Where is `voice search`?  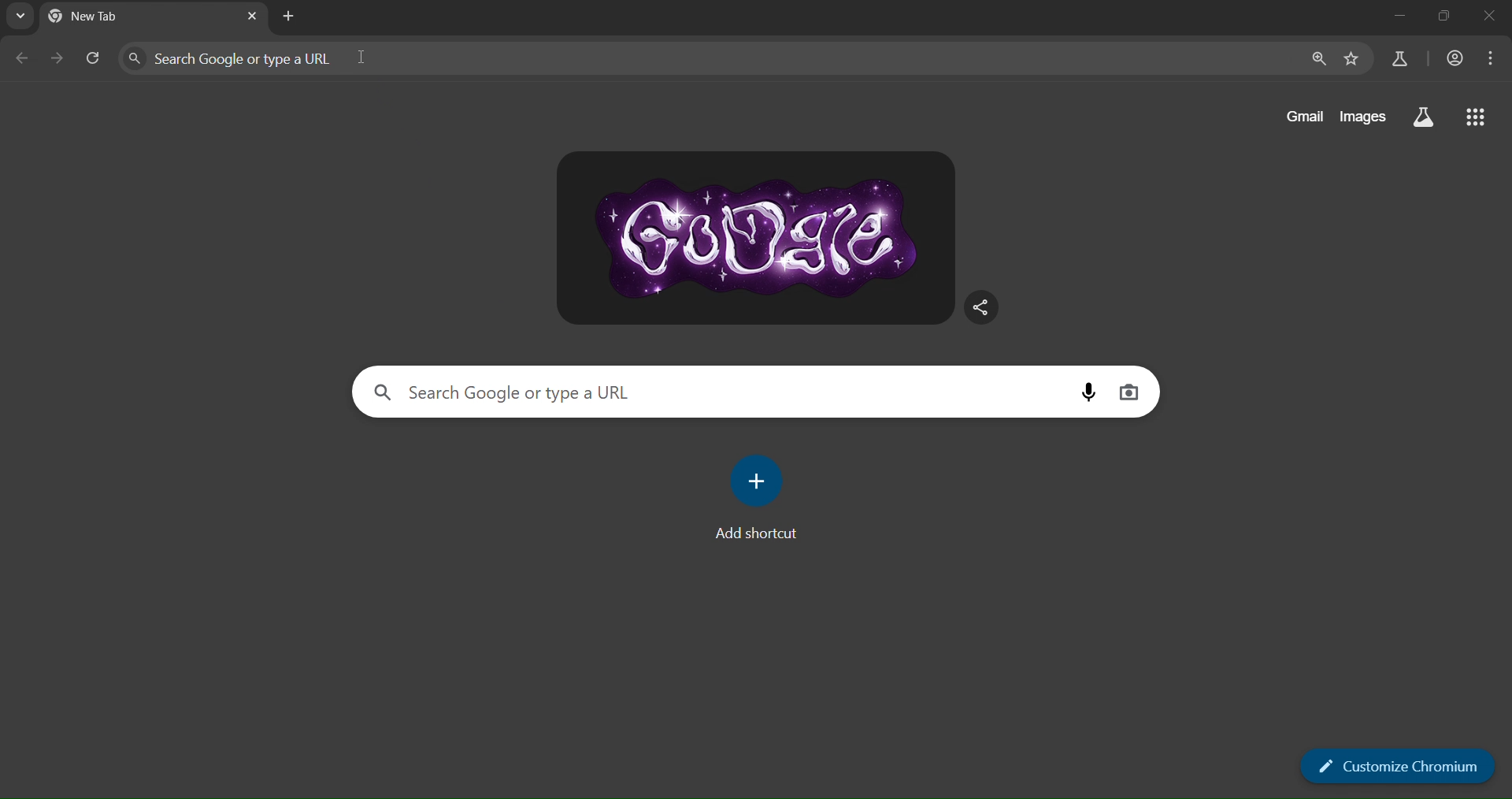
voice search is located at coordinates (1086, 392).